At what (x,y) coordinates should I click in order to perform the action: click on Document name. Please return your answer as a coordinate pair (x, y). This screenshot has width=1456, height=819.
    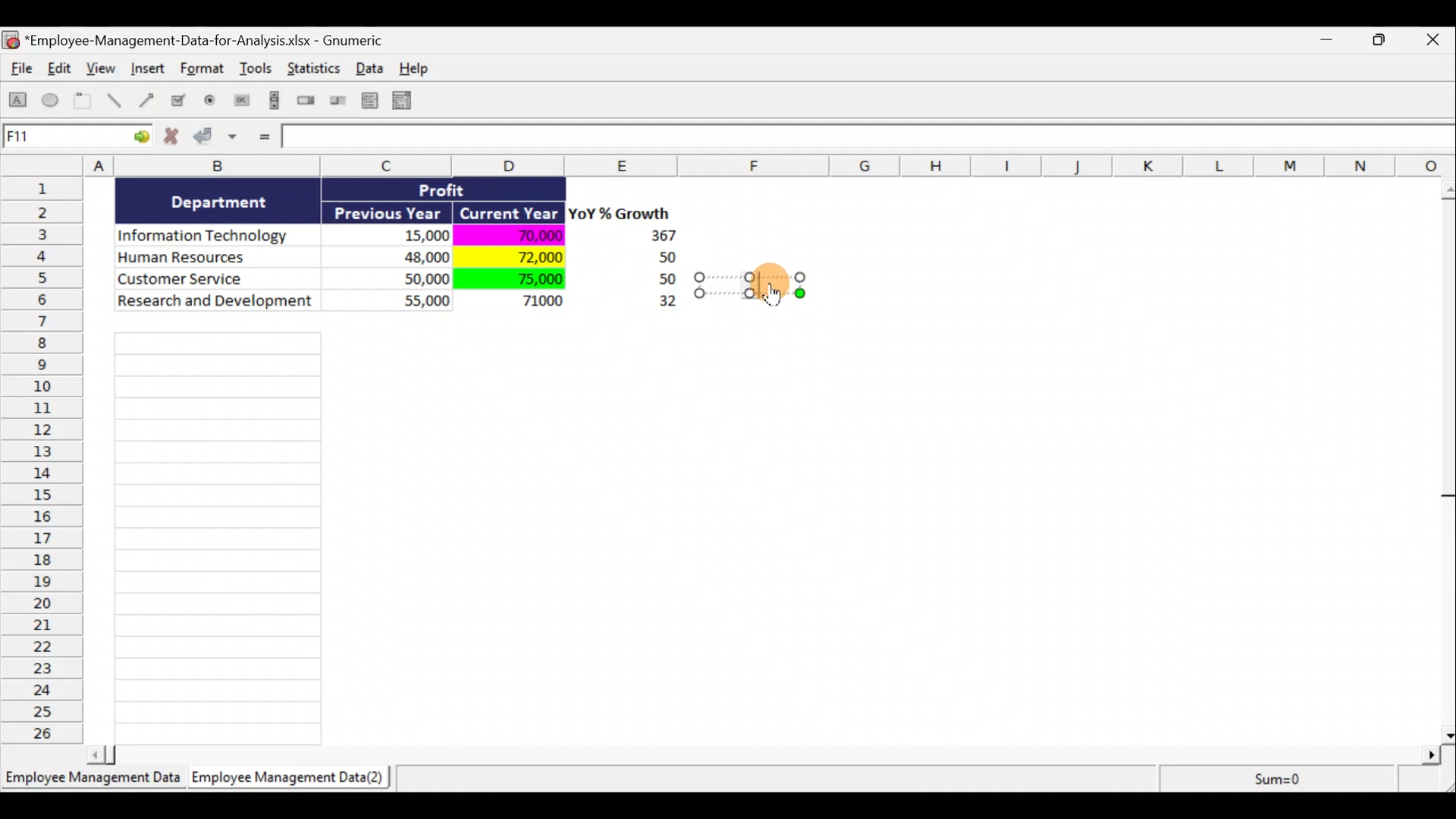
    Looking at the image, I should click on (201, 42).